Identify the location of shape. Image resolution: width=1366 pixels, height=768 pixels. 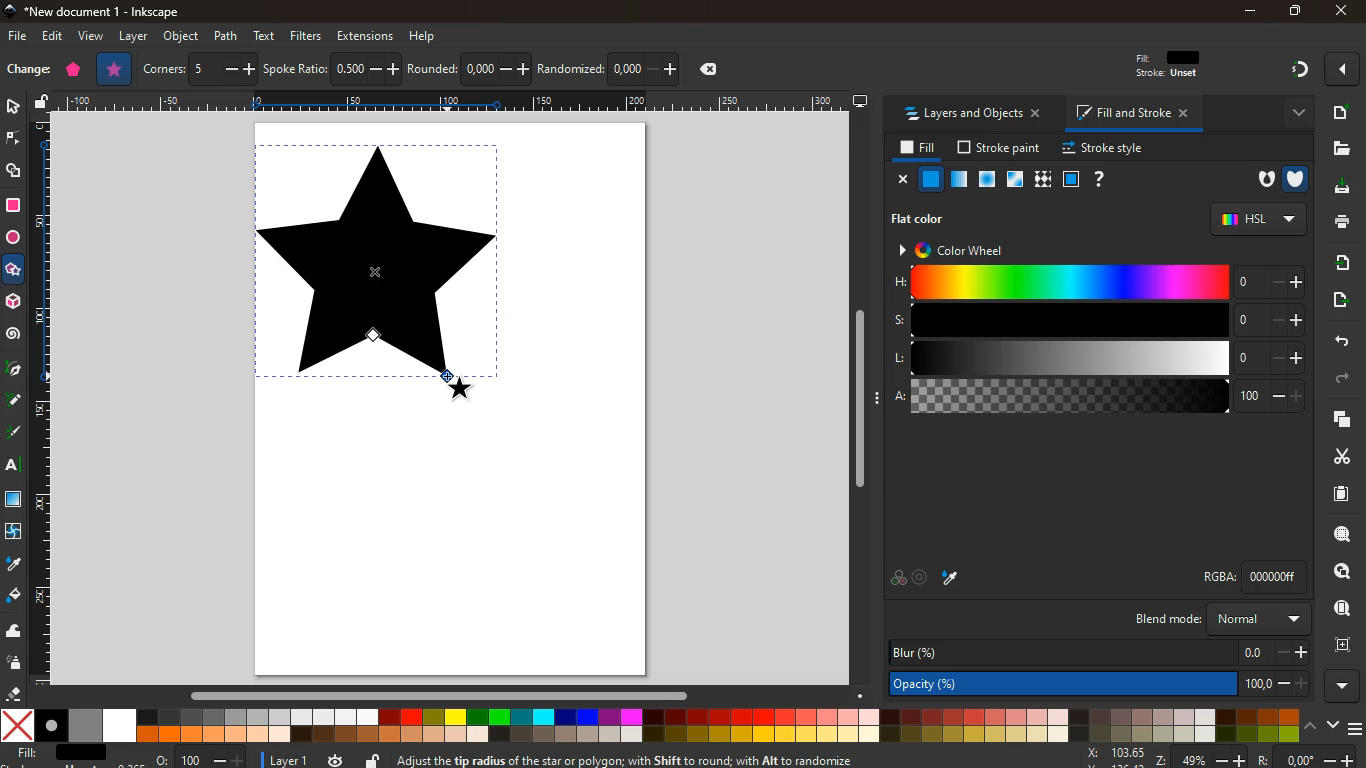
(378, 274).